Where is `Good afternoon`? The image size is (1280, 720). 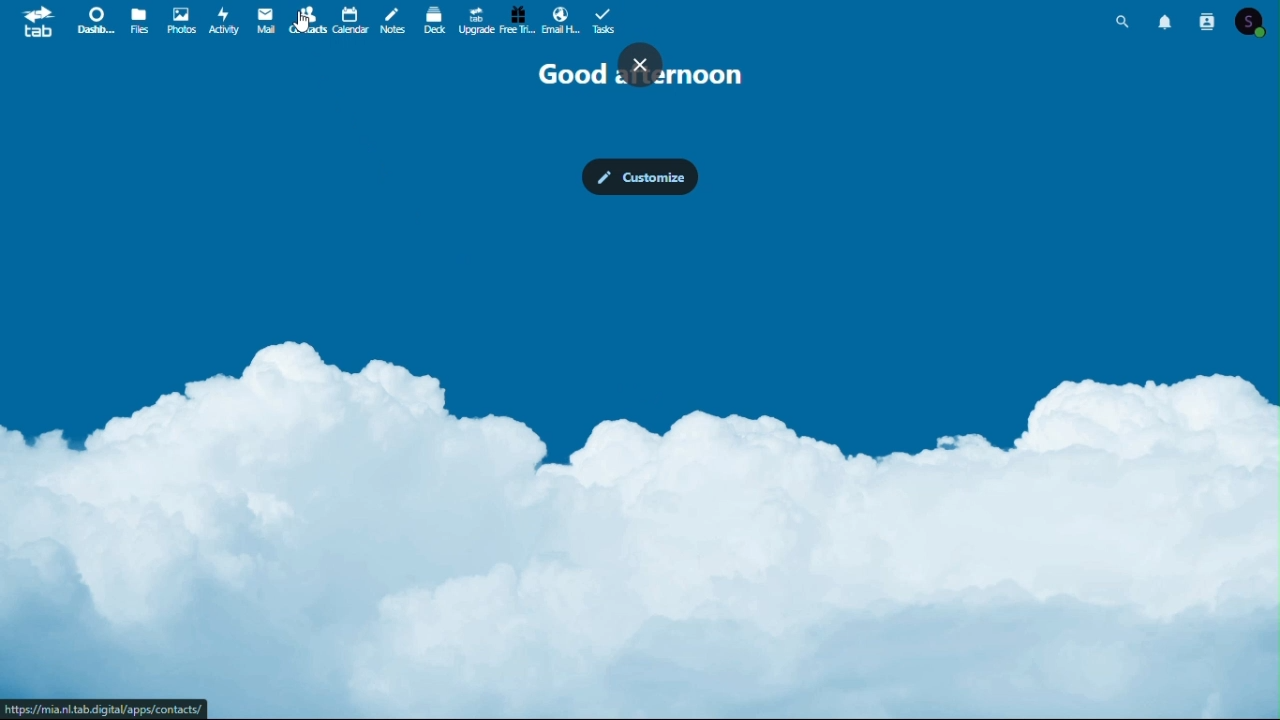
Good afternoon is located at coordinates (644, 70).